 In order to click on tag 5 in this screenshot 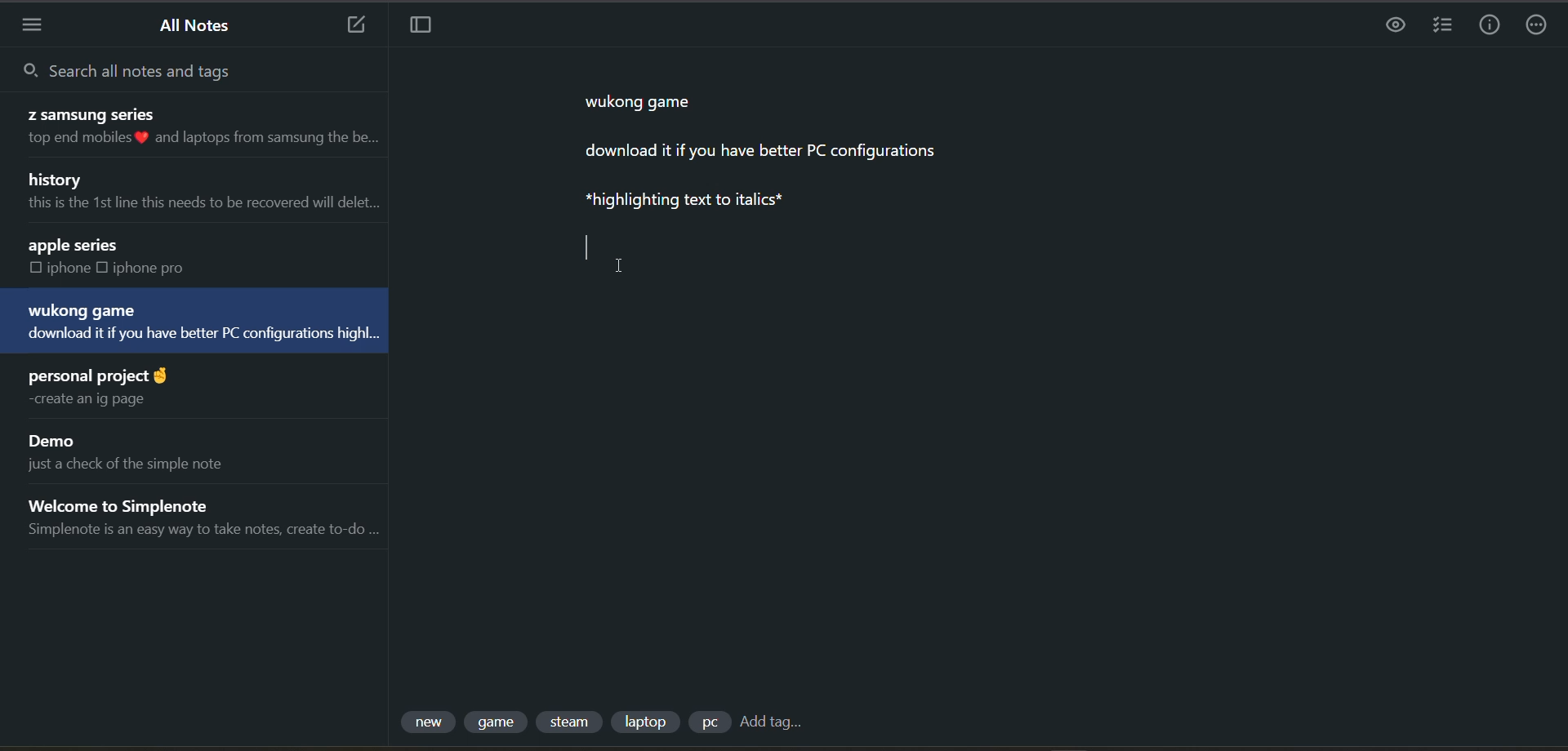, I will do `click(710, 722)`.